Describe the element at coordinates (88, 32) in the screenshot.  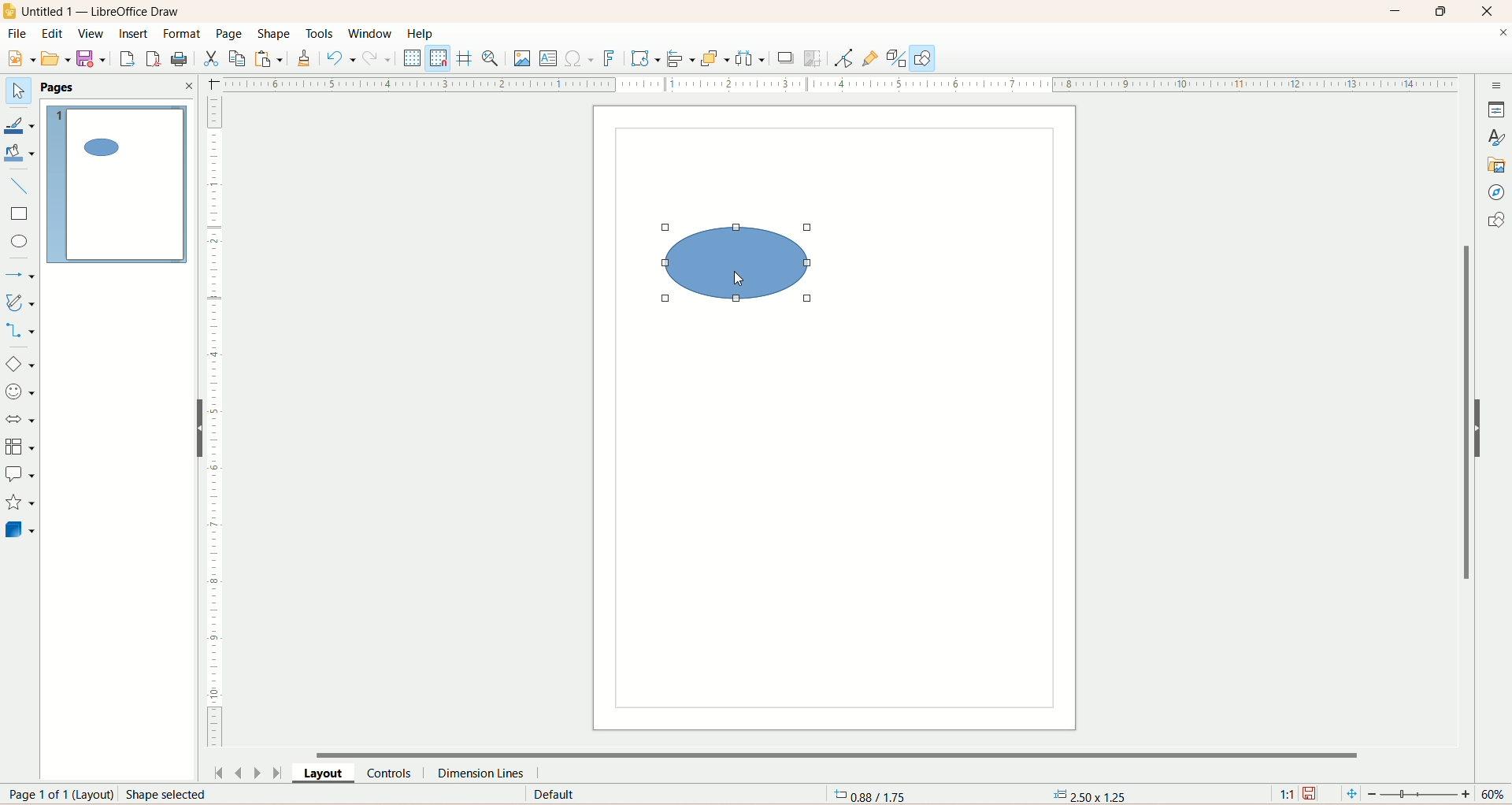
I see `view` at that location.